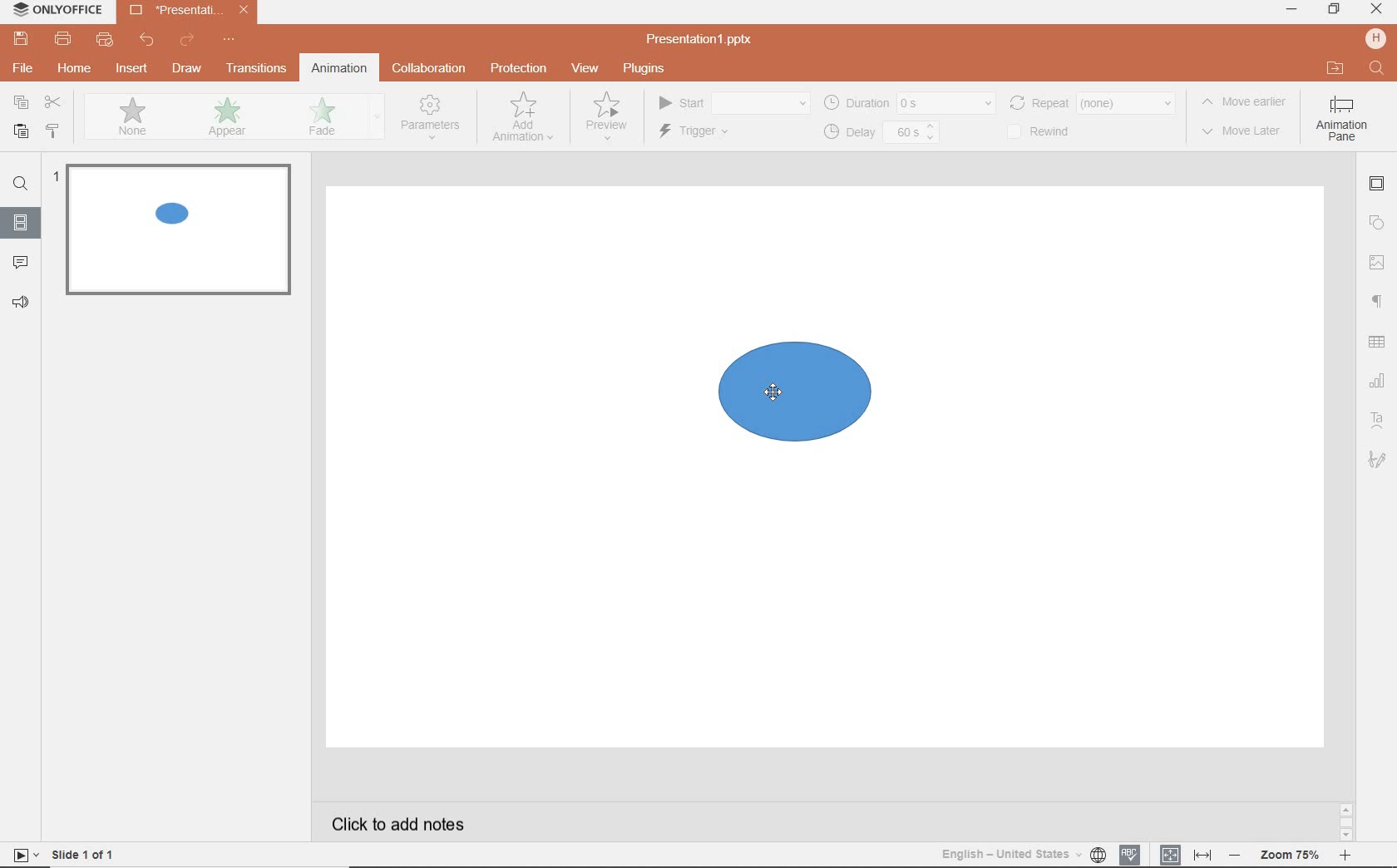 Image resolution: width=1397 pixels, height=868 pixels. Describe the element at coordinates (653, 69) in the screenshot. I see `plugins` at that location.